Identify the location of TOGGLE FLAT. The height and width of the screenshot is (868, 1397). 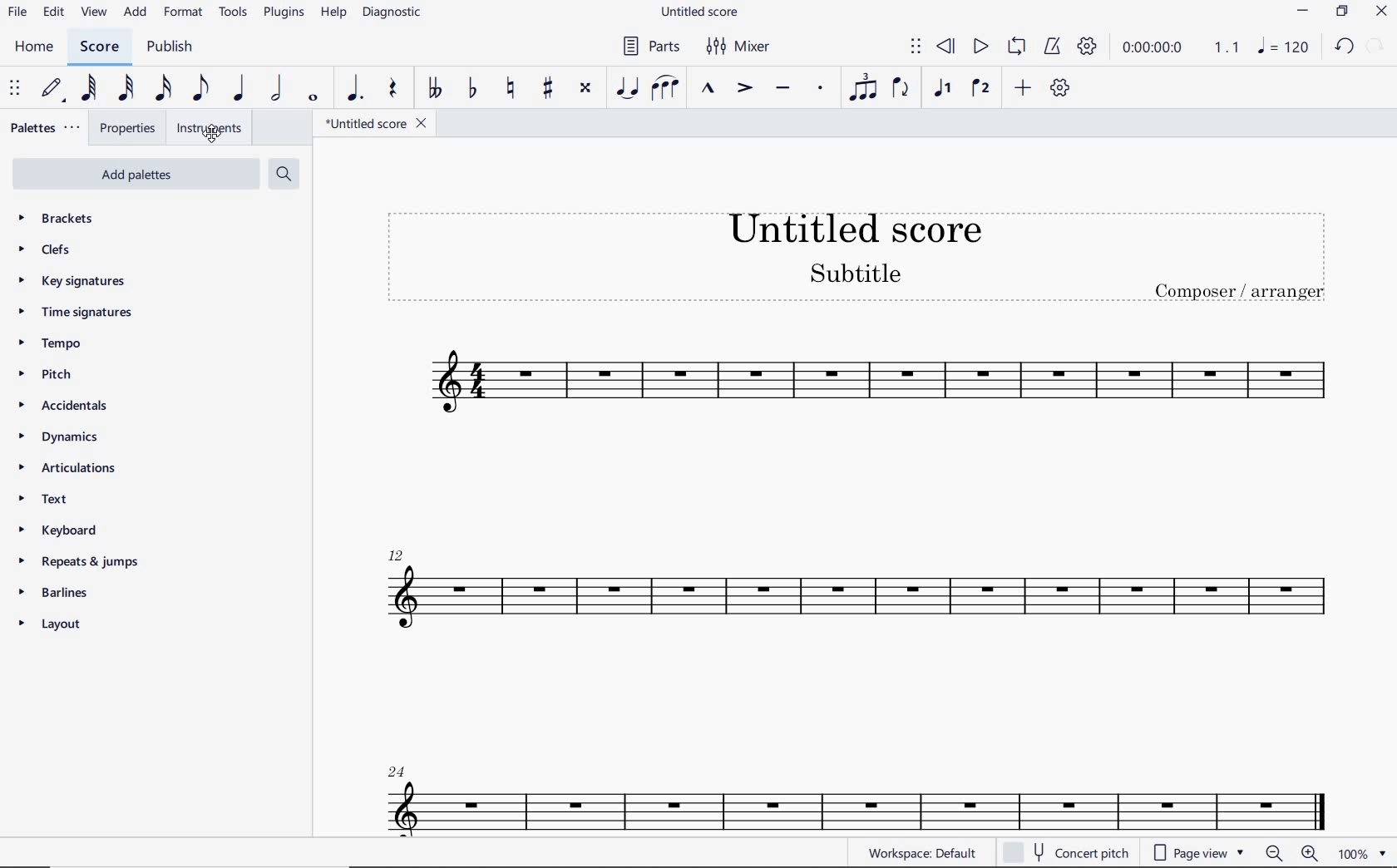
(473, 89).